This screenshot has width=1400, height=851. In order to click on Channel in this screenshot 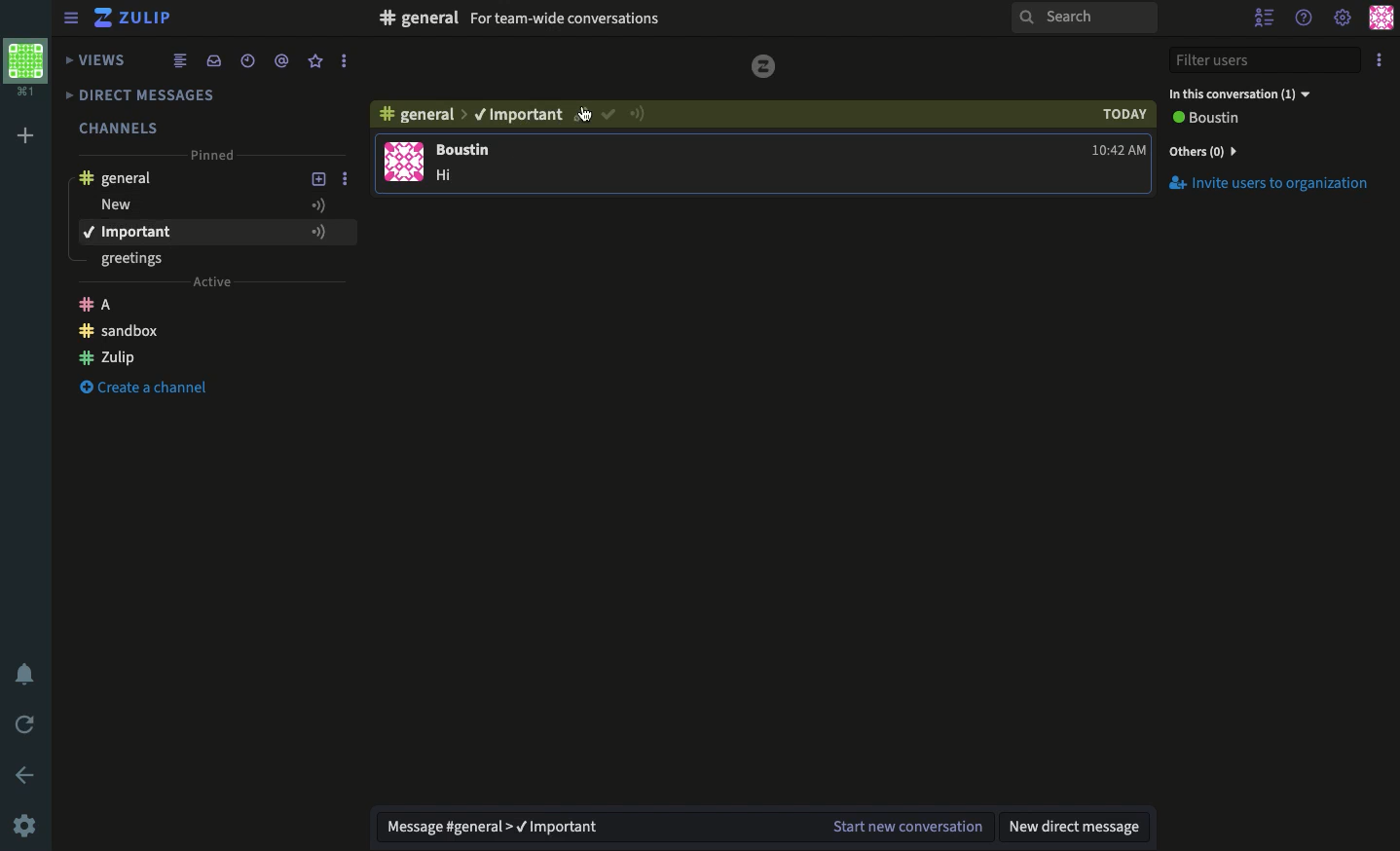, I will do `click(421, 118)`.